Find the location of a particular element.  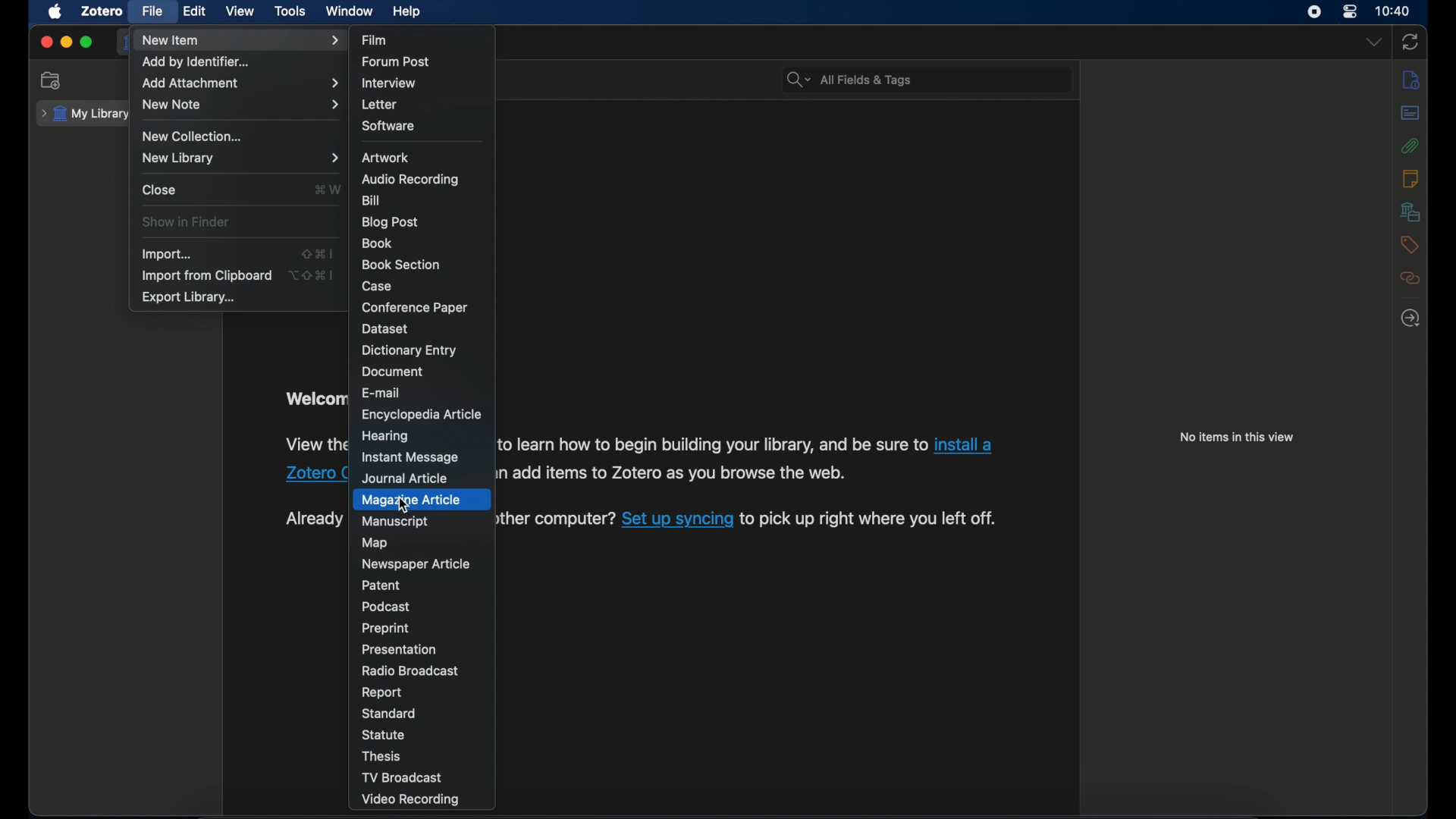

new library is located at coordinates (240, 158).